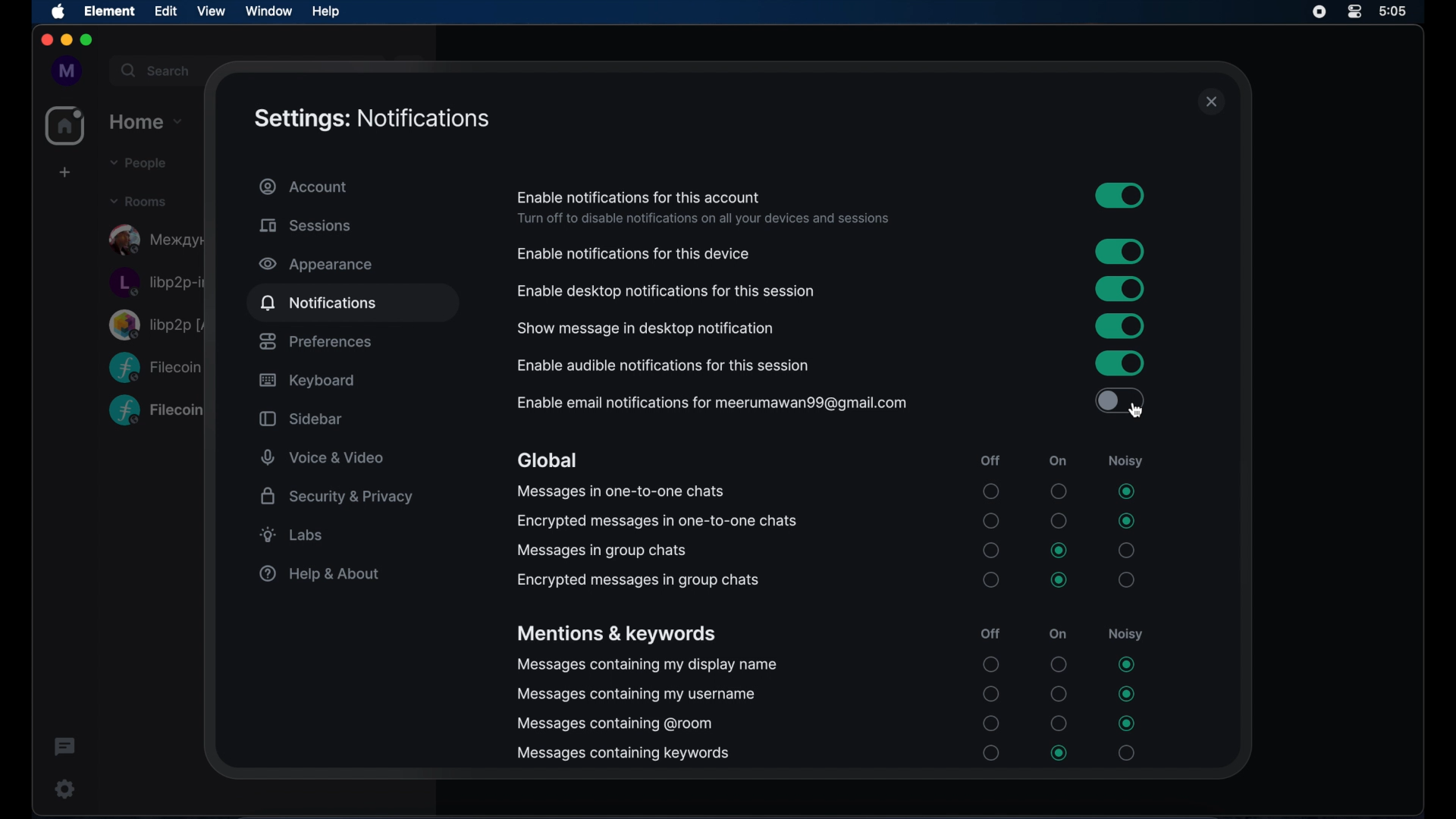 This screenshot has height=819, width=1456. I want to click on radio button, so click(1060, 551).